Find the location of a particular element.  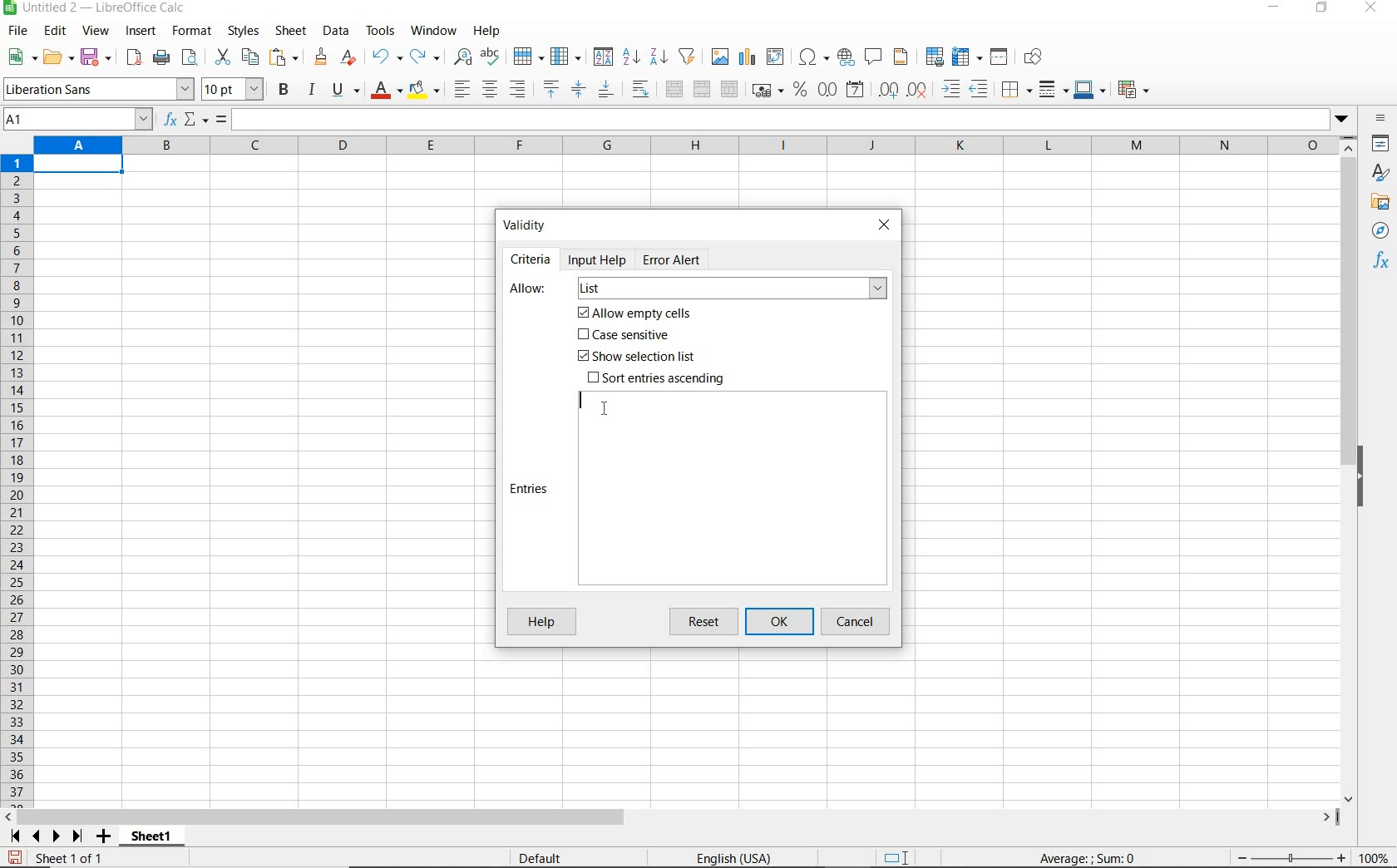

formula is located at coordinates (221, 121).